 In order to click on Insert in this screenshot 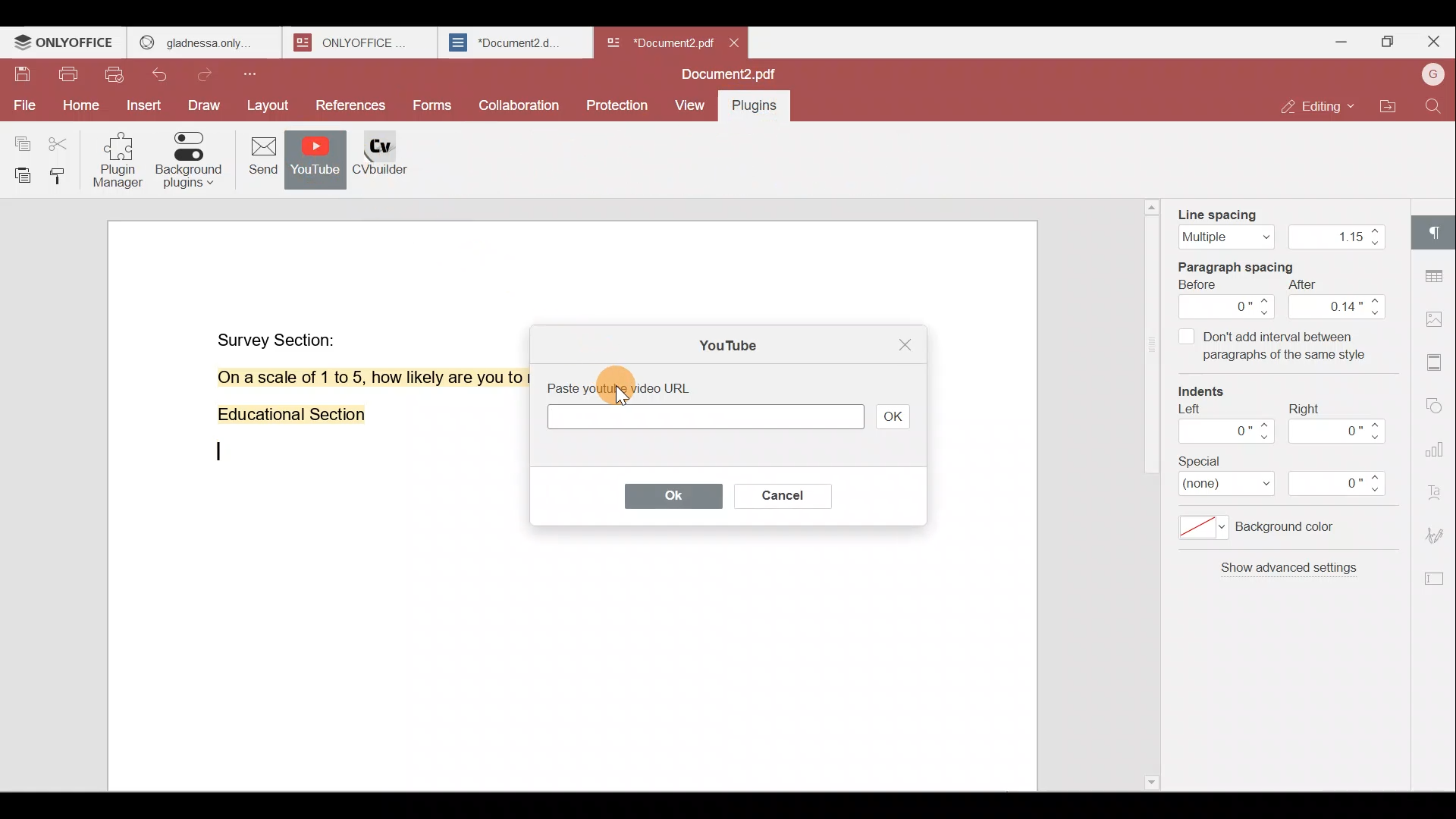, I will do `click(144, 107)`.